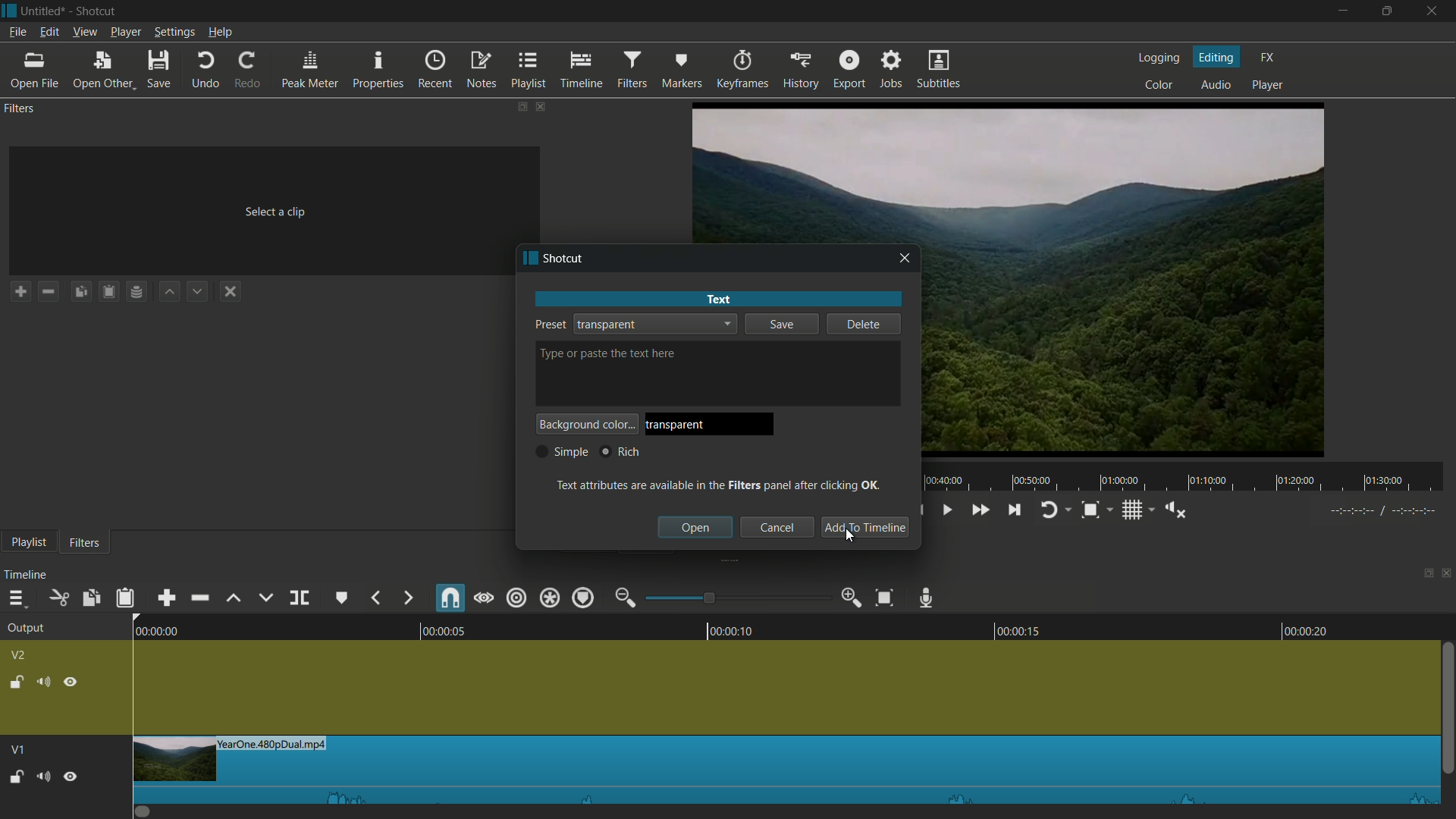  What do you see at coordinates (1131, 510) in the screenshot?
I see `toggle grid` at bounding box center [1131, 510].